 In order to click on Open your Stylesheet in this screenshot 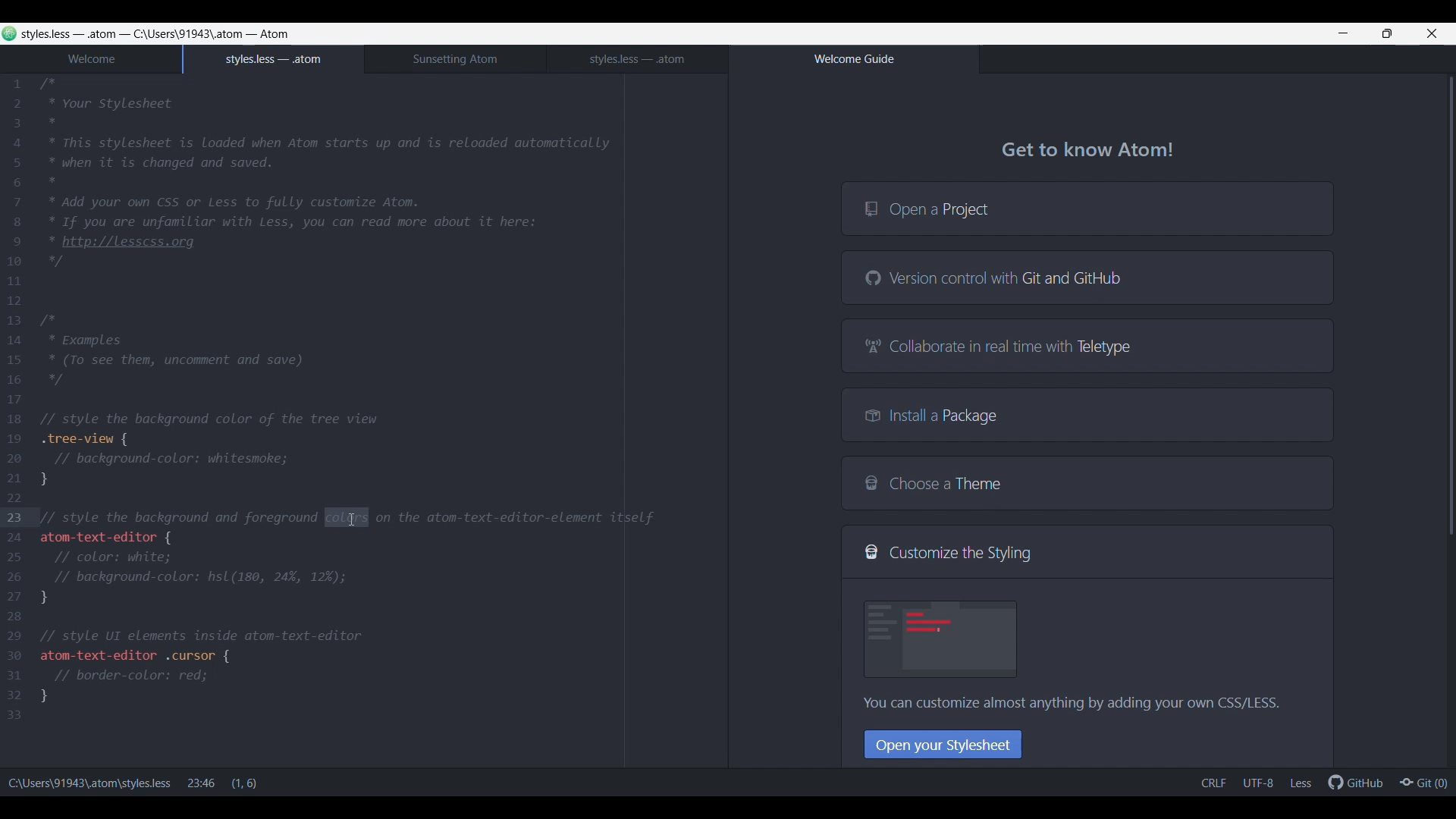, I will do `click(943, 744)`.